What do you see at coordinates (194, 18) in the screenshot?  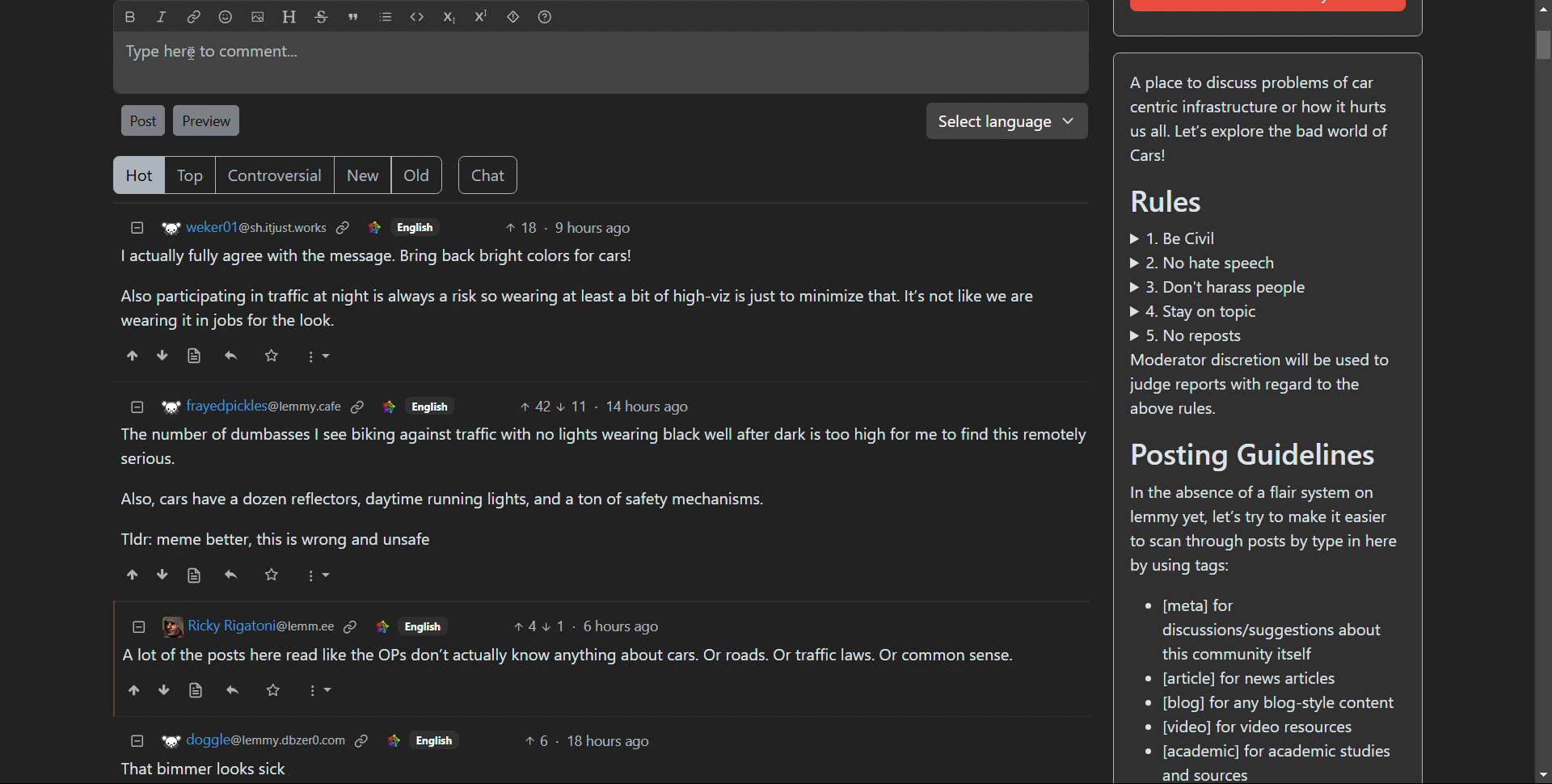 I see `link` at bounding box center [194, 18].